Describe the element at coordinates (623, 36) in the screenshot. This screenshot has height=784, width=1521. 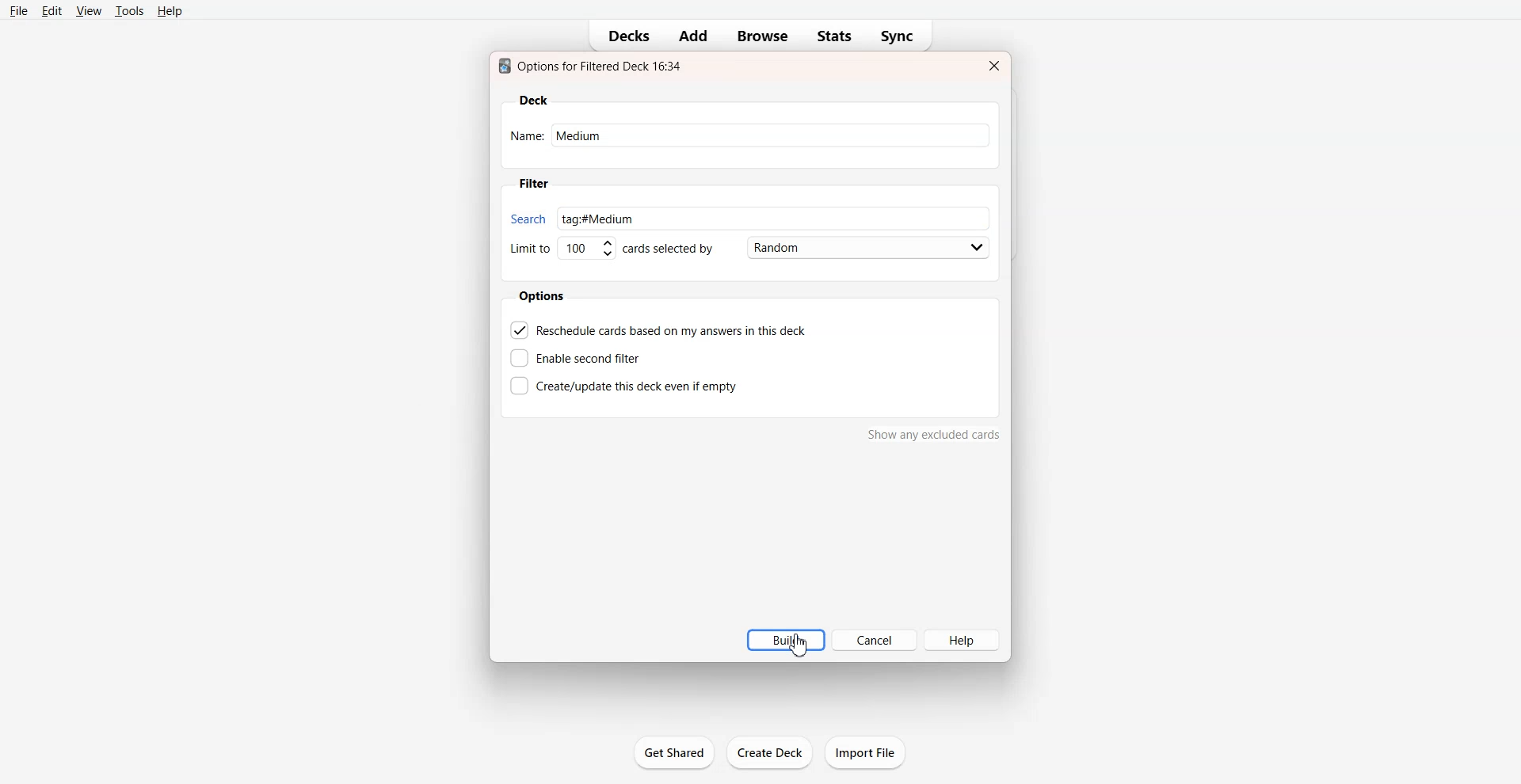
I see `Decks` at that location.